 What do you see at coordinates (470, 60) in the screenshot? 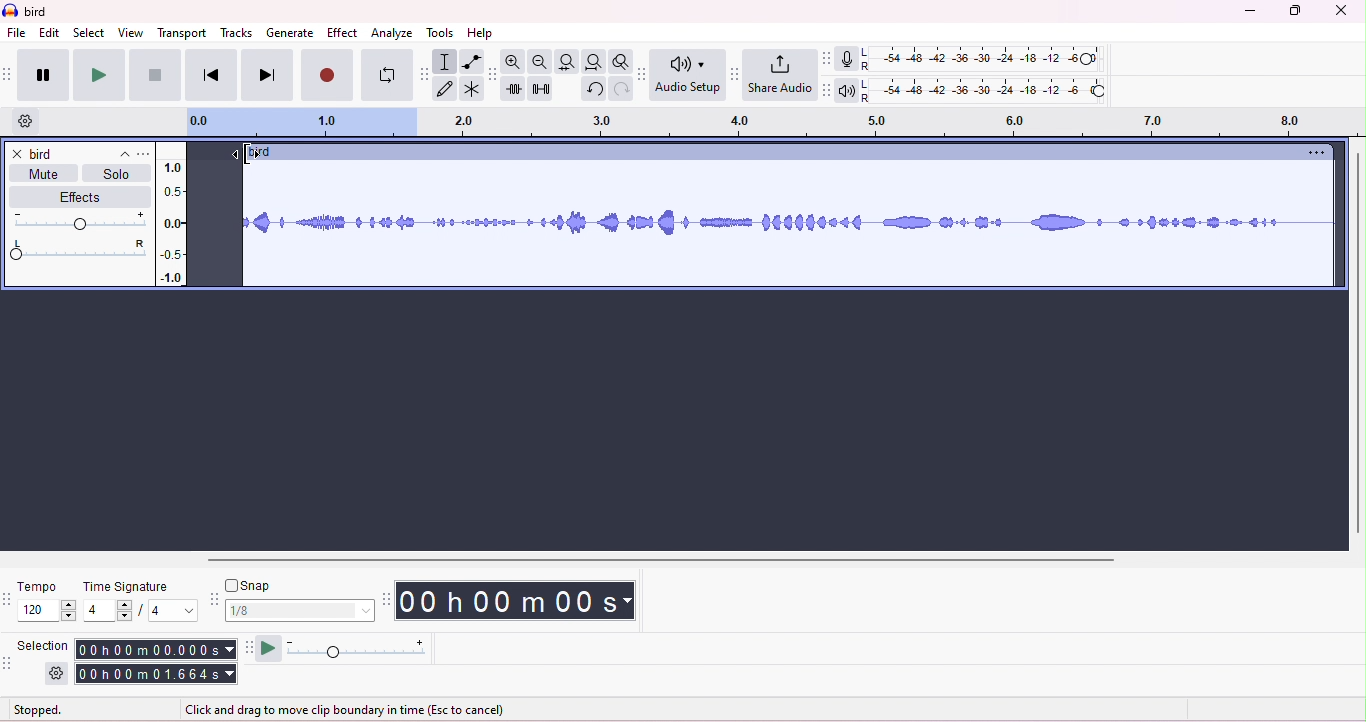
I see `envelop` at bounding box center [470, 60].